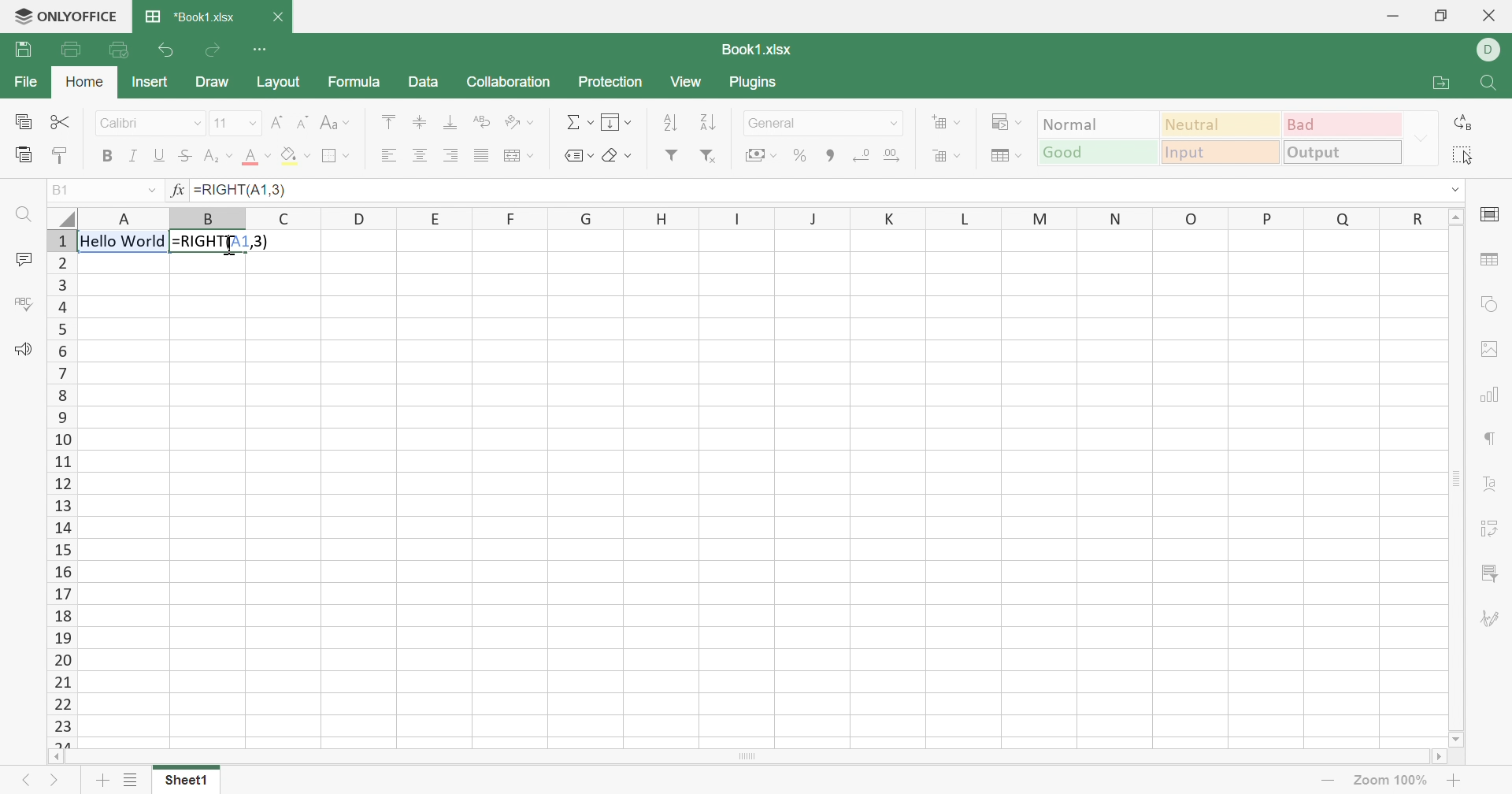 The width and height of the screenshot is (1512, 794). Describe the element at coordinates (191, 17) in the screenshot. I see `*Book1.xlsx` at that location.